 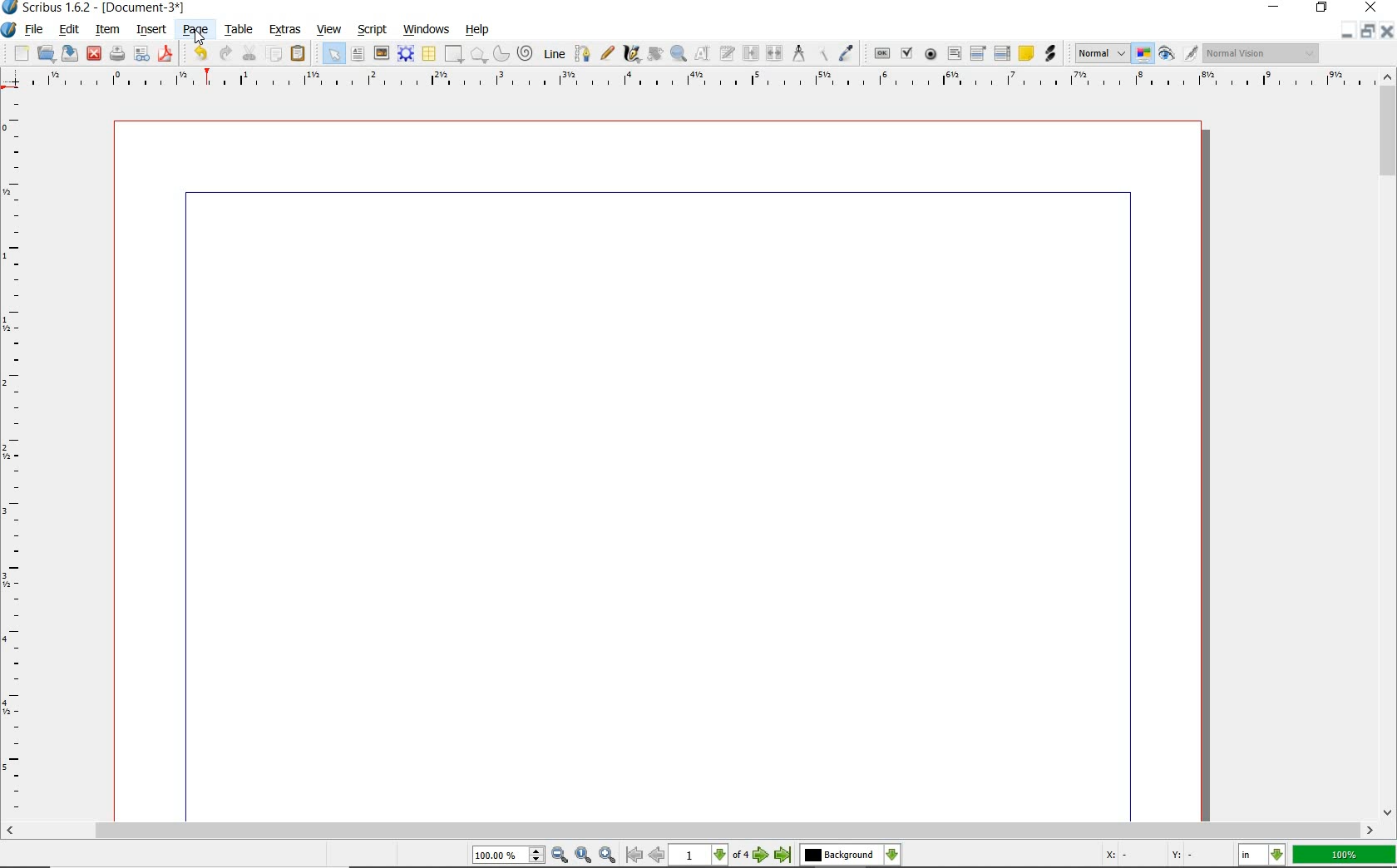 I want to click on paste, so click(x=298, y=53).